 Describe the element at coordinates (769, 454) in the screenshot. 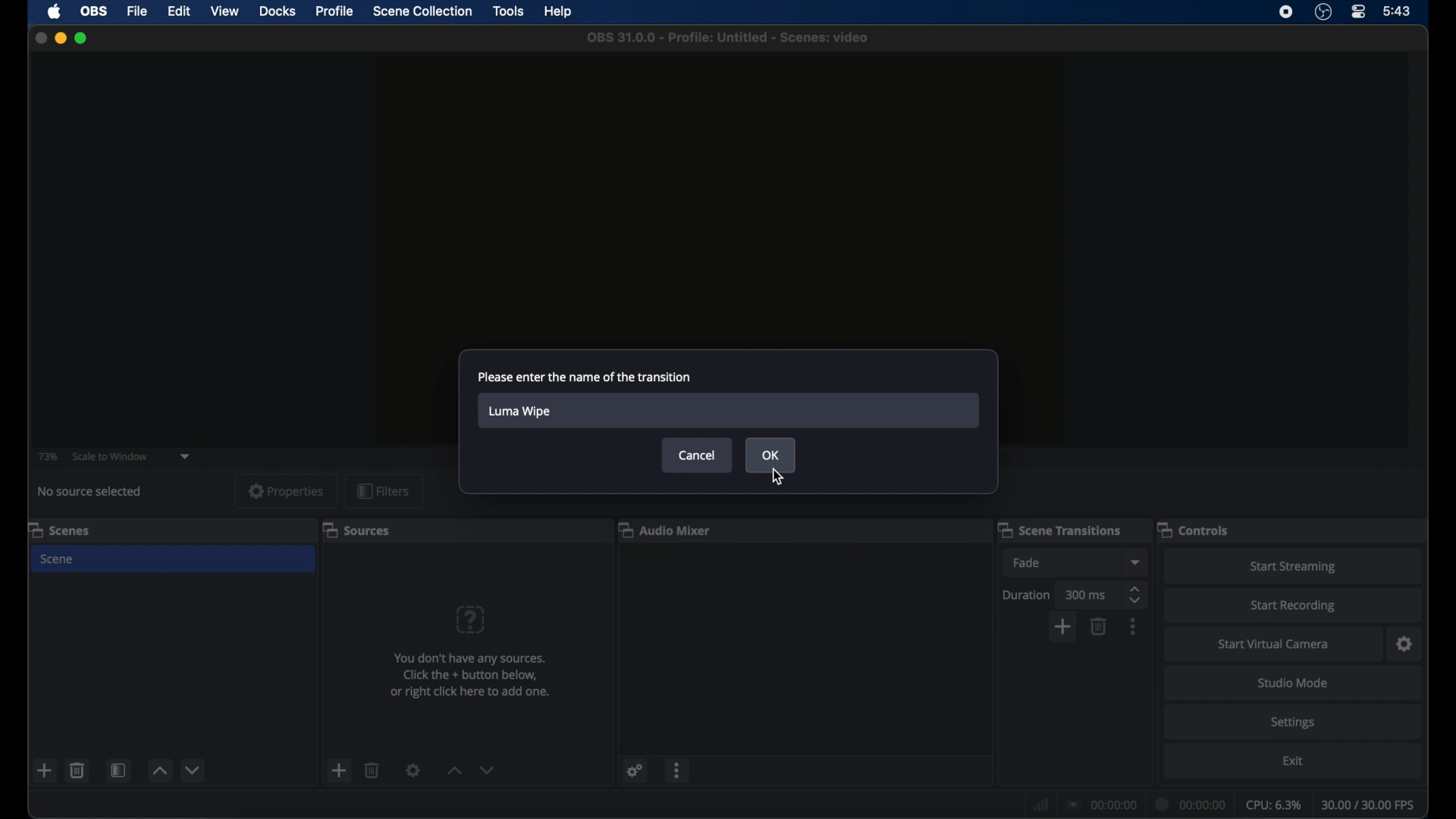

I see `ok` at that location.